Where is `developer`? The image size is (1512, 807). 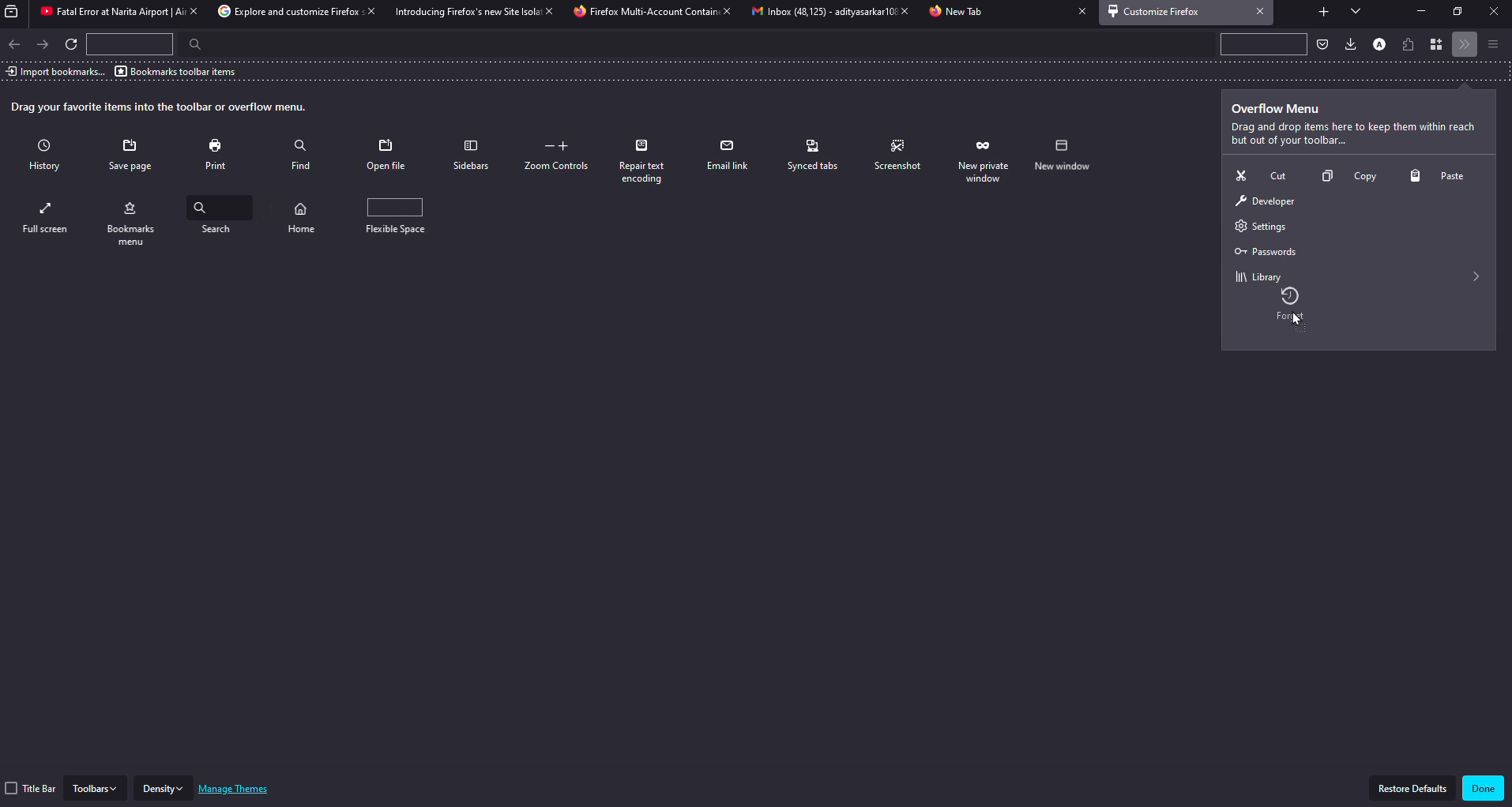
developer is located at coordinates (1264, 202).